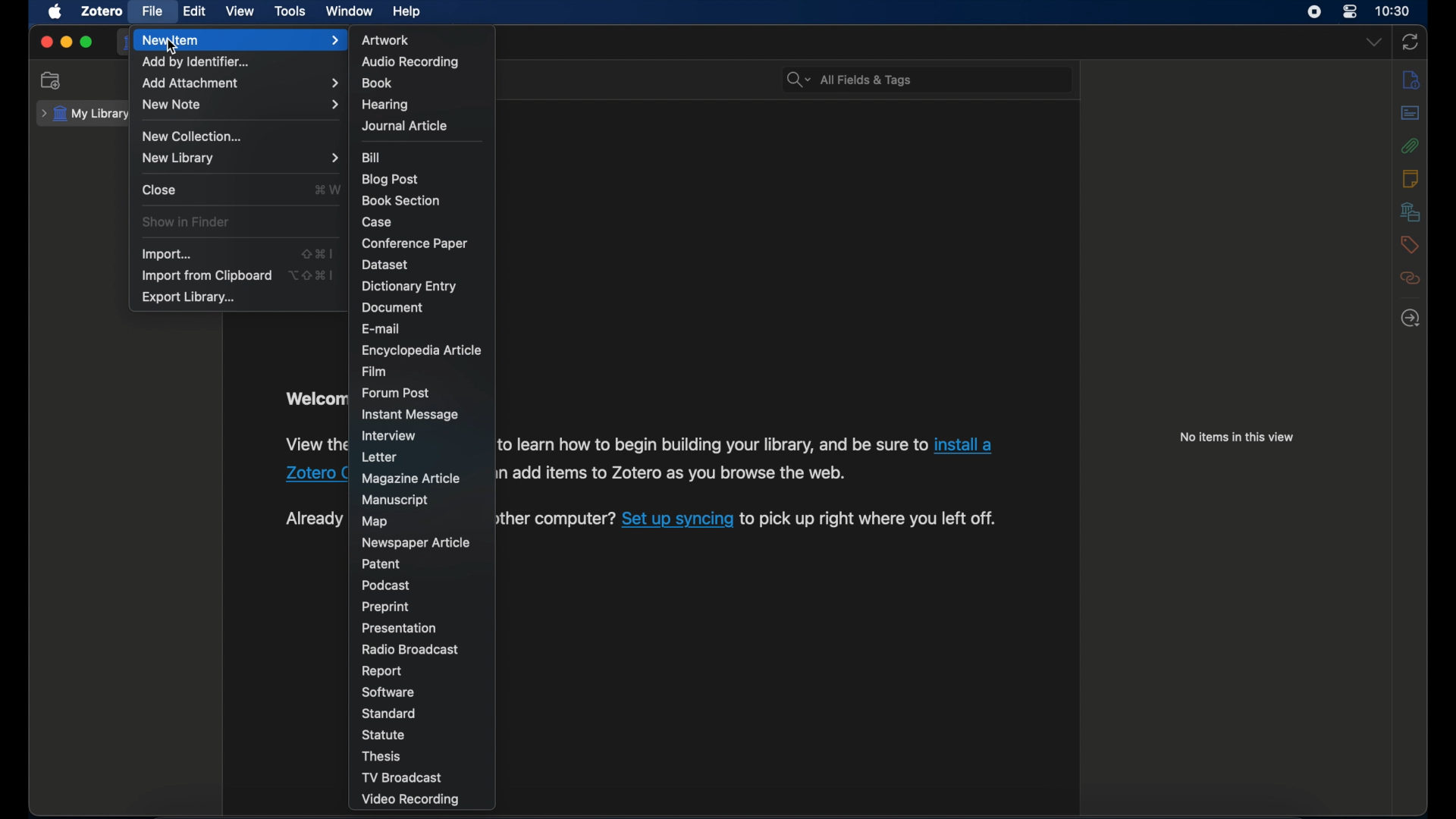 This screenshot has width=1456, height=819. Describe the element at coordinates (385, 105) in the screenshot. I see `hearing` at that location.